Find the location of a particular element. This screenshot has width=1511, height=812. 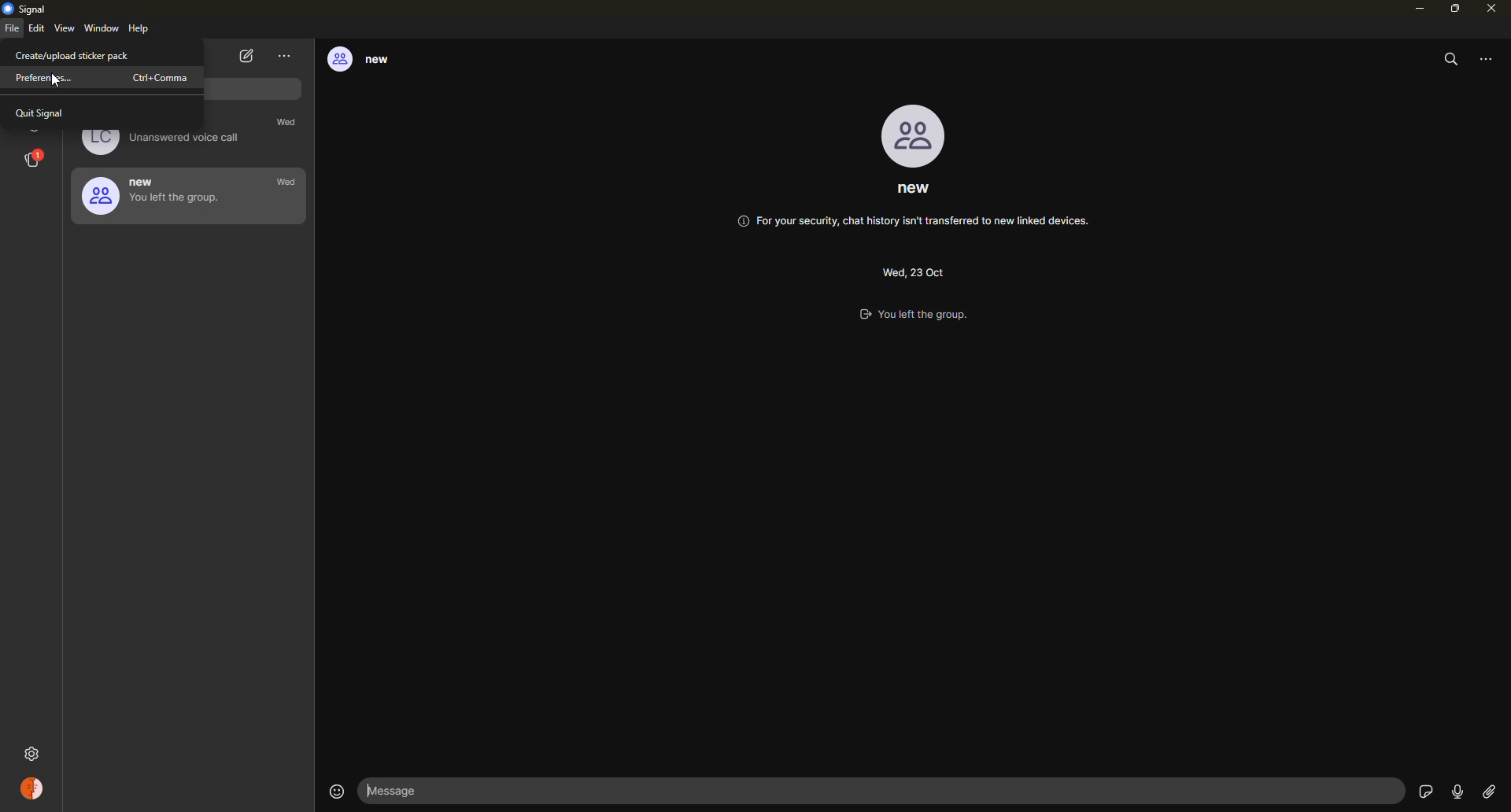

profile is located at coordinates (34, 791).